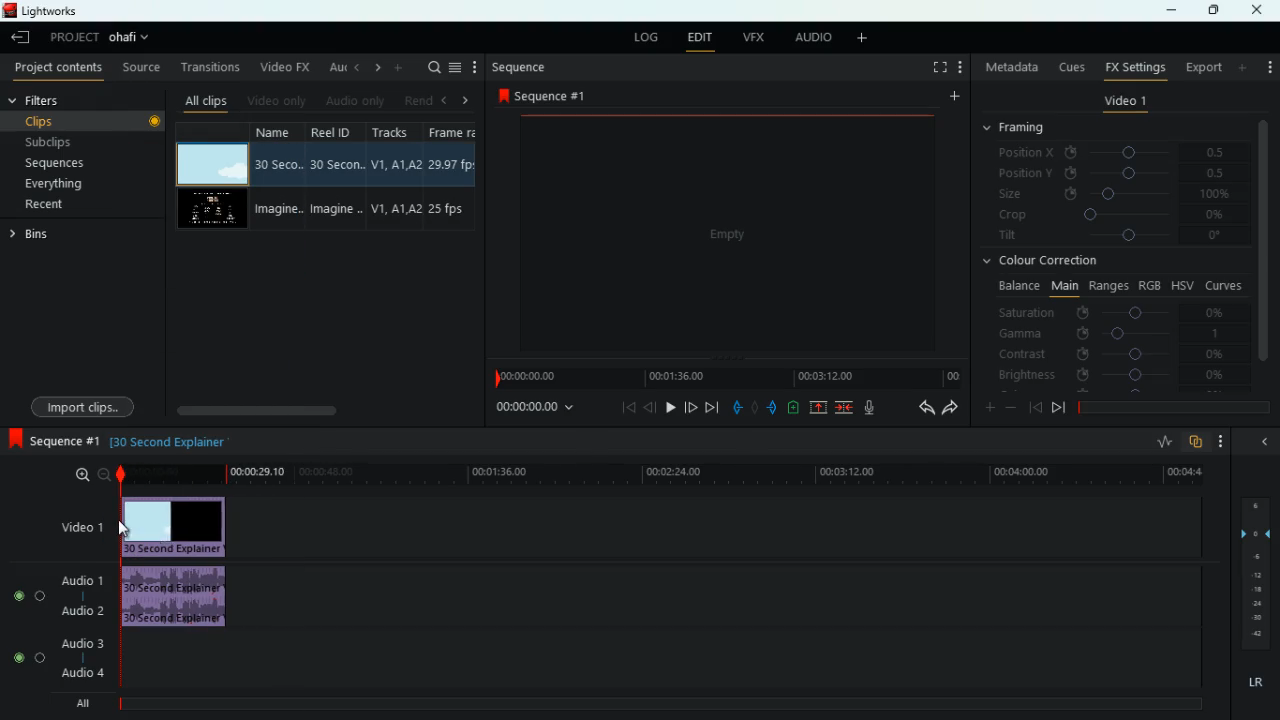  Describe the element at coordinates (430, 68) in the screenshot. I see `search` at that location.